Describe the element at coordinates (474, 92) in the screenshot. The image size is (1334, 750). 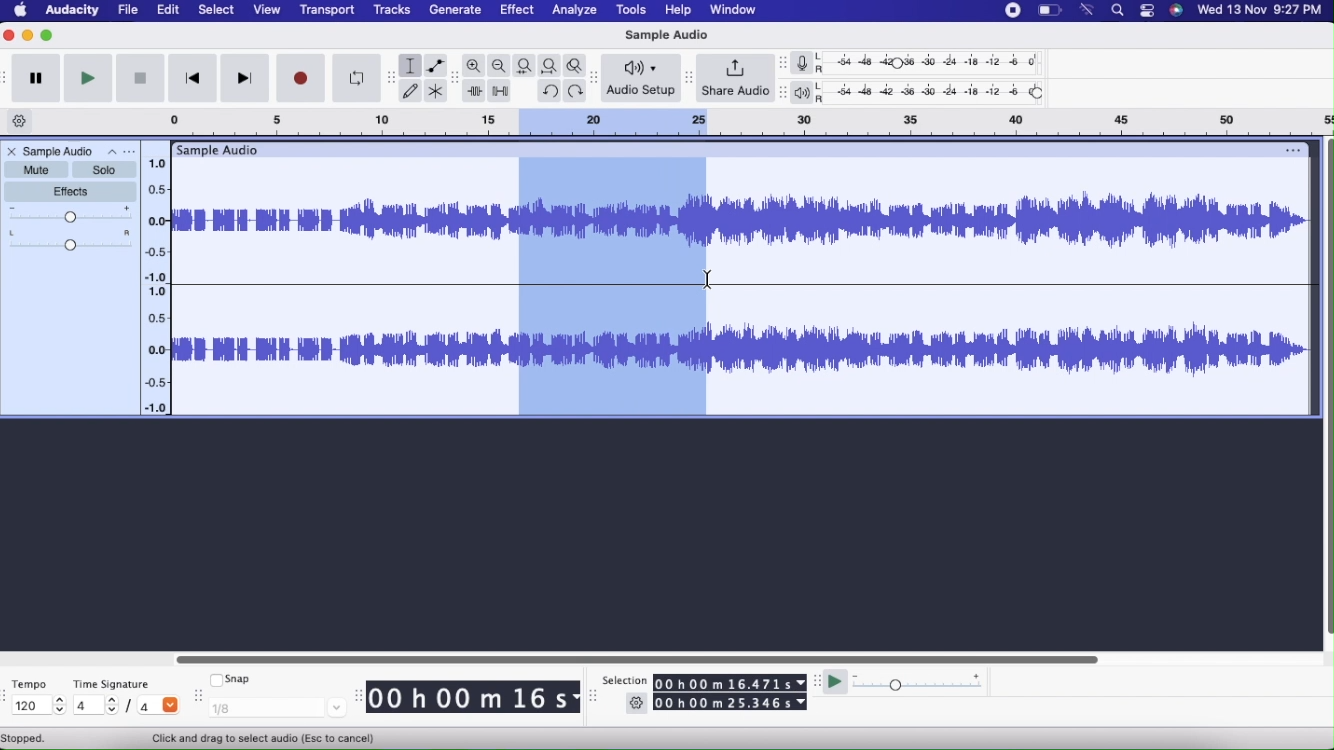
I see `Trim audio outside selection` at that location.